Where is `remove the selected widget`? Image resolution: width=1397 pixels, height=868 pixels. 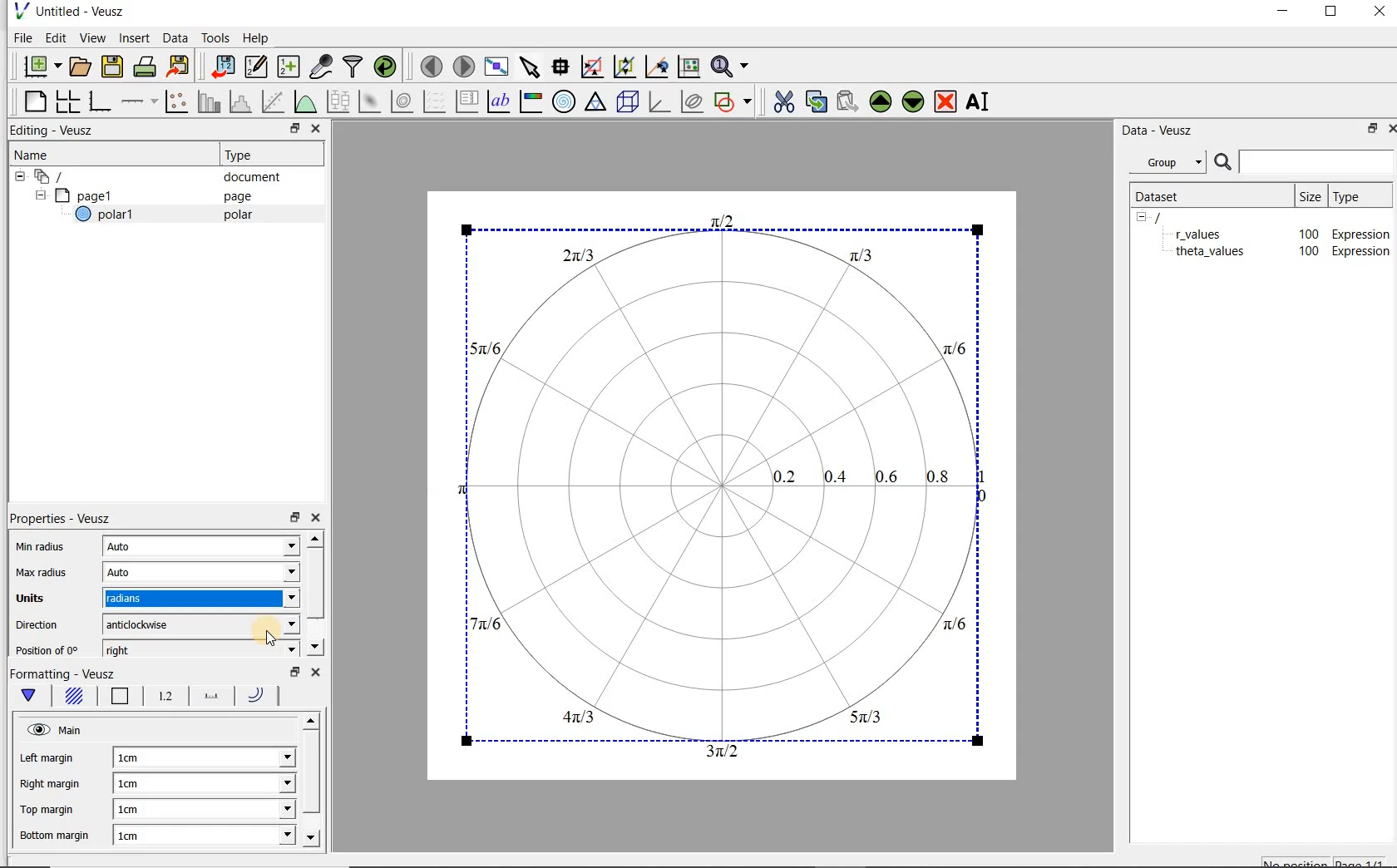
remove the selected widget is located at coordinates (946, 101).